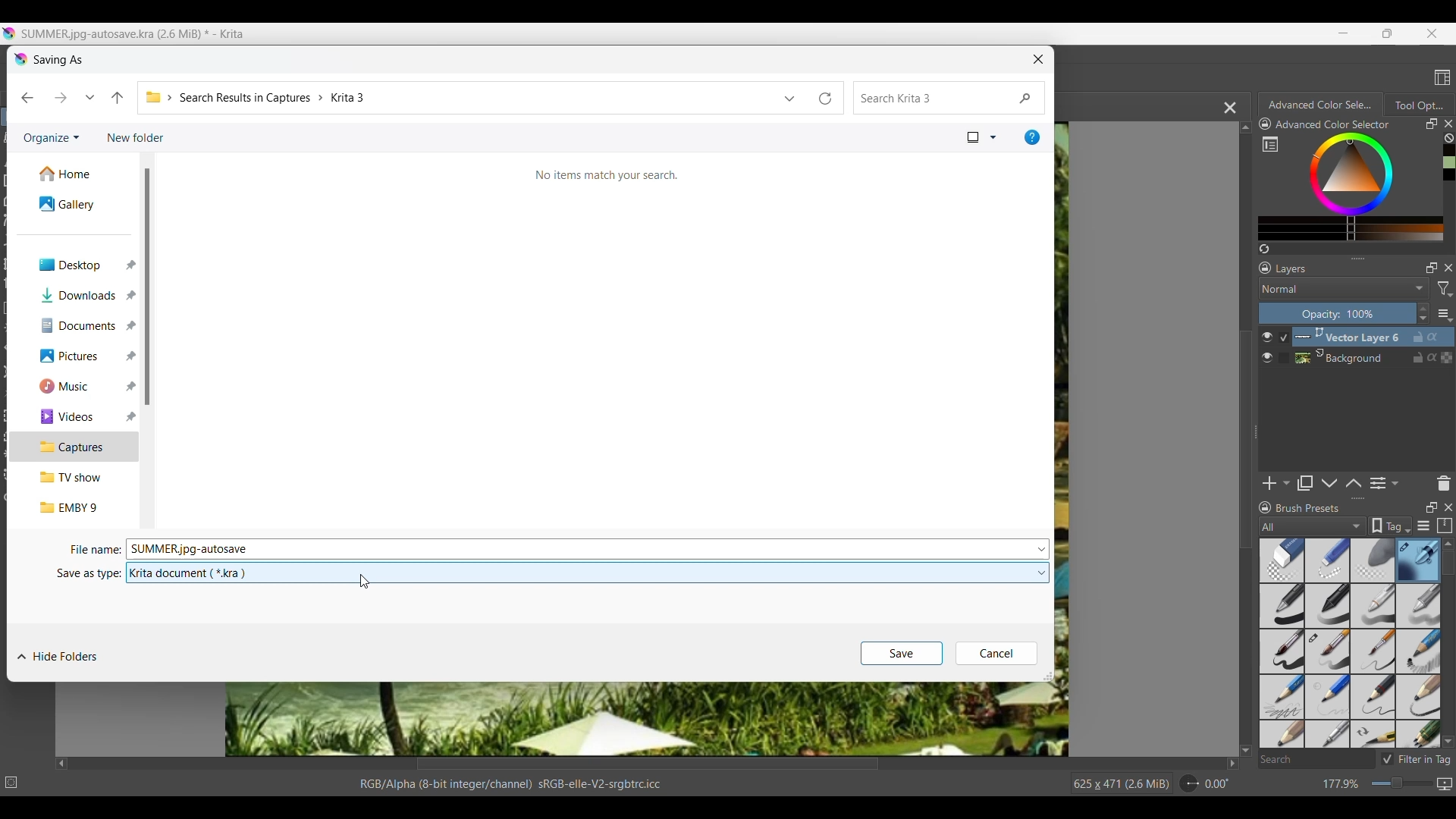  What do you see at coordinates (117, 98) in the screenshot?
I see `Go to previous folder in folder pathway` at bounding box center [117, 98].